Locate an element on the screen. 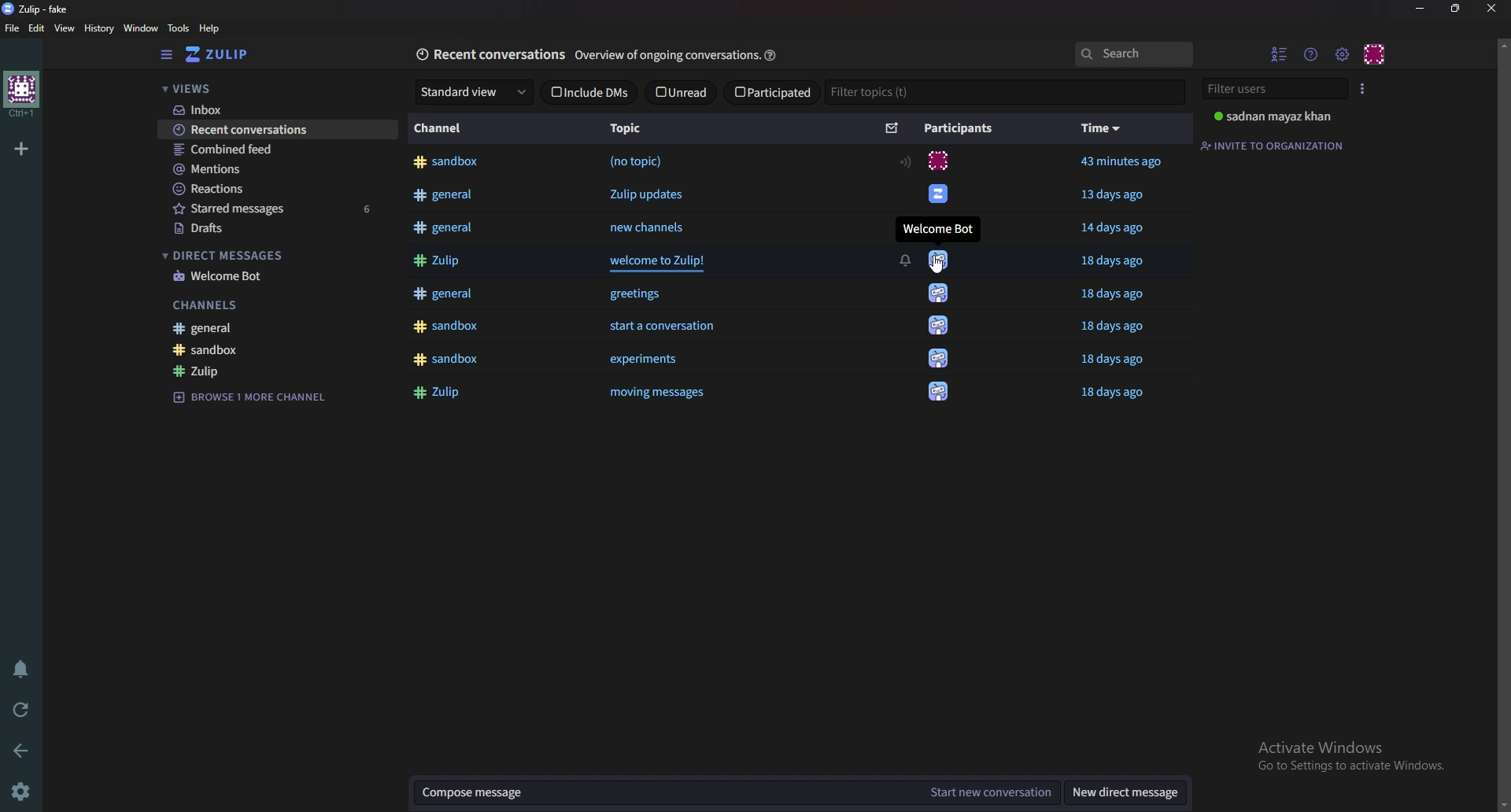  $# Zulip is located at coordinates (442, 260).